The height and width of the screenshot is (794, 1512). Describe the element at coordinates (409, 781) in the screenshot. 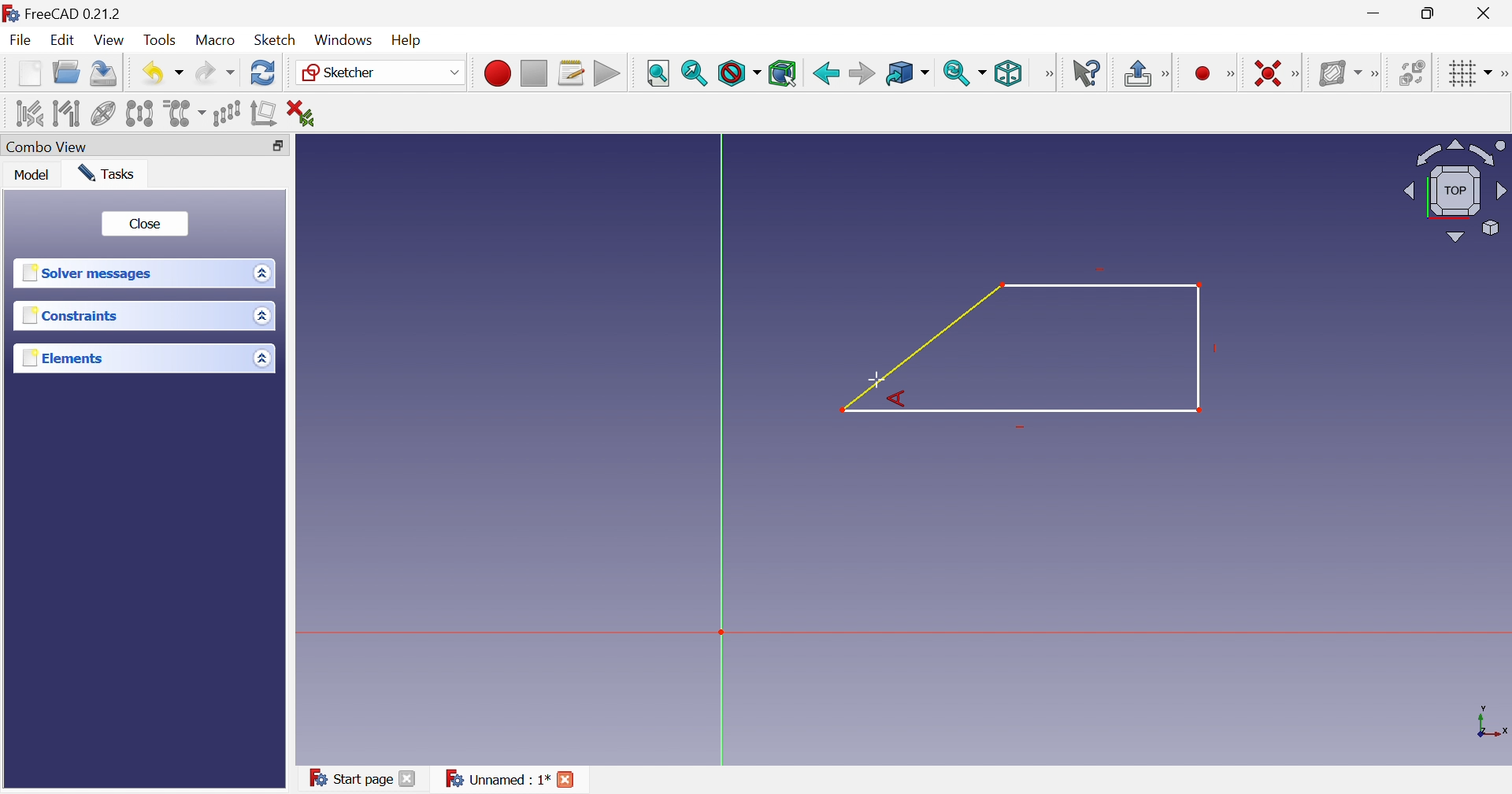

I see `Close` at that location.